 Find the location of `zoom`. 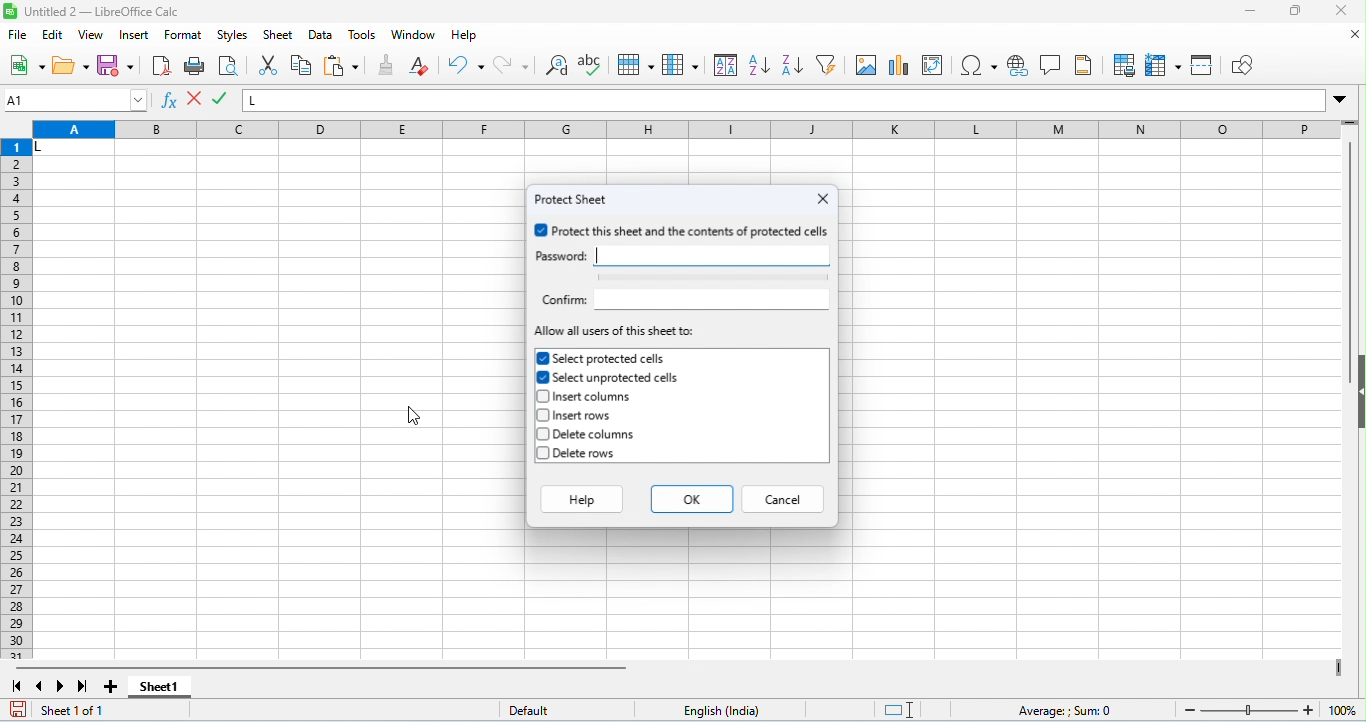

zoom is located at coordinates (1266, 708).